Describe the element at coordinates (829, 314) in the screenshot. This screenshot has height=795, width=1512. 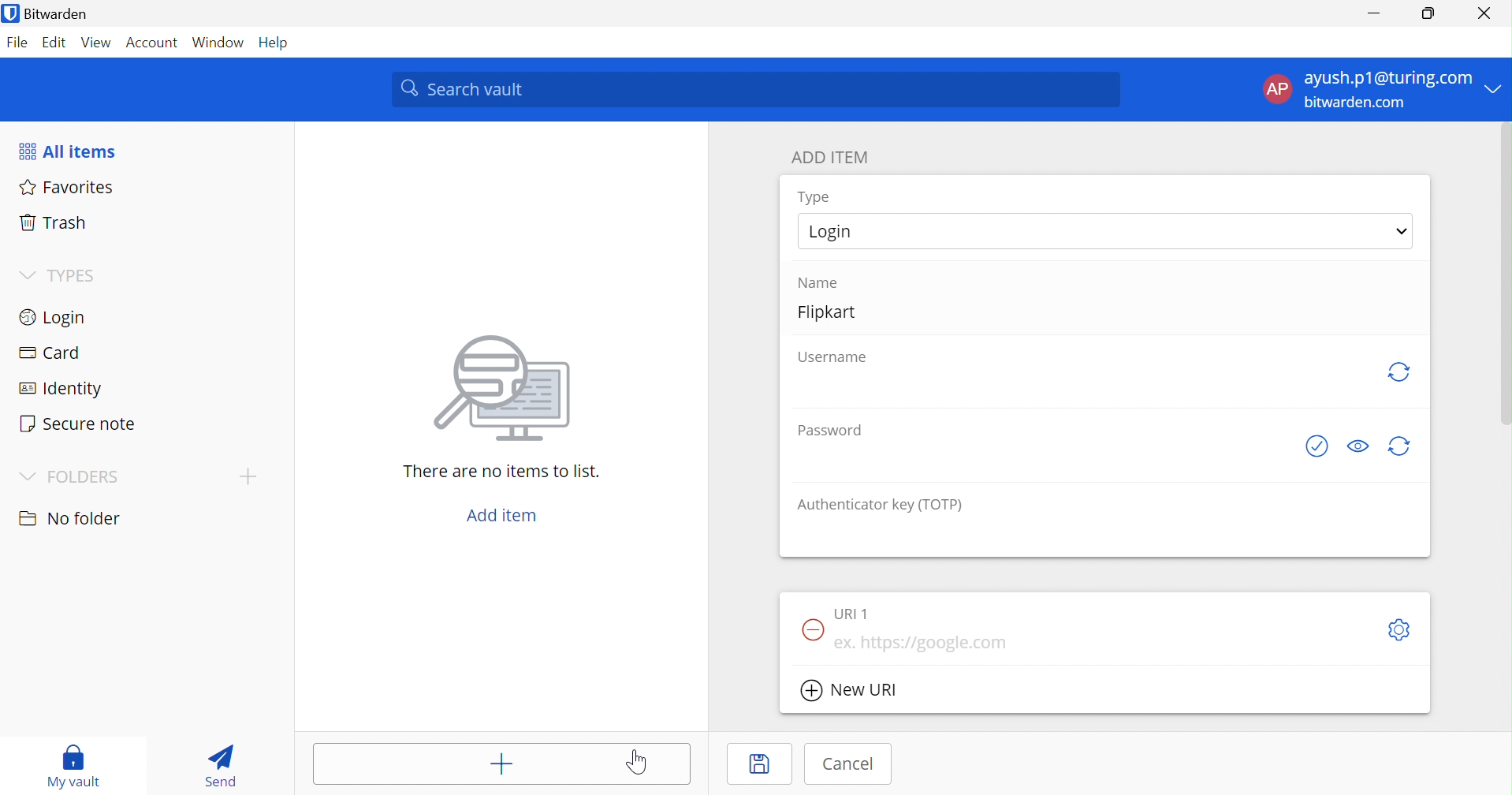
I see `Flipkart` at that location.